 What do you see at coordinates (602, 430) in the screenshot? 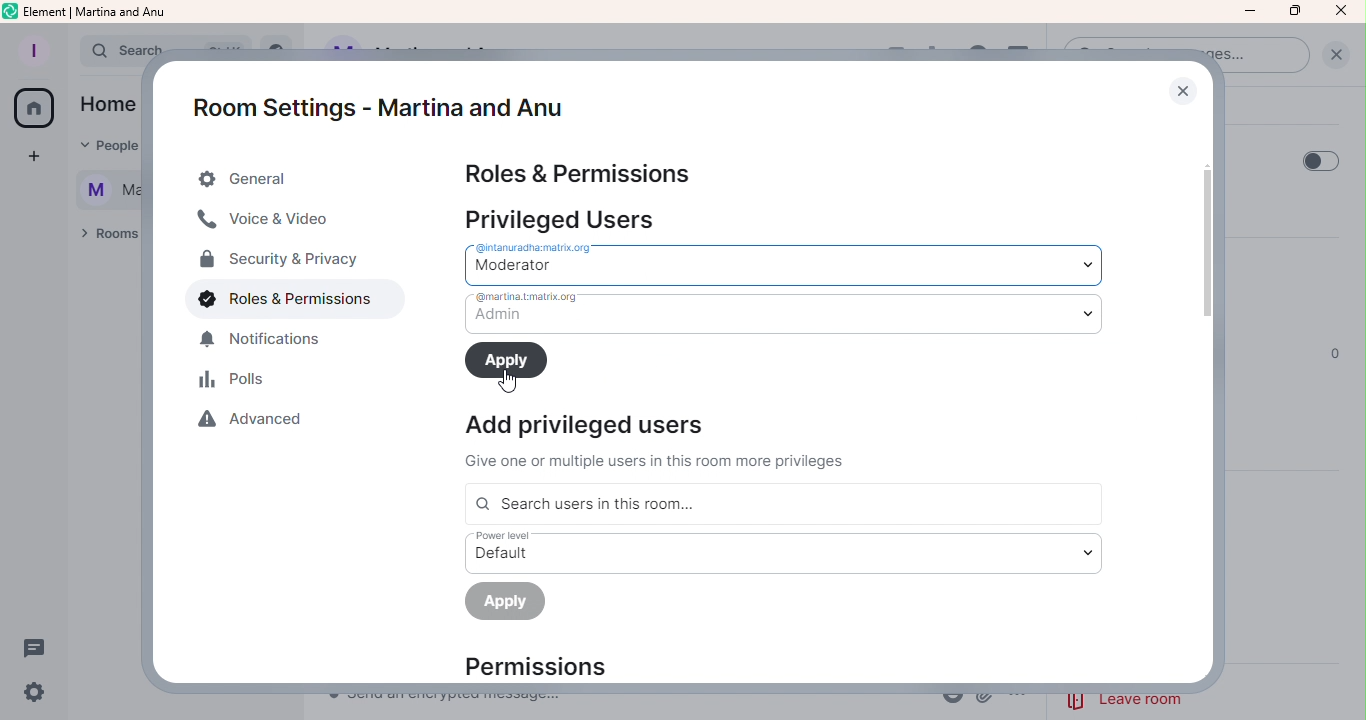
I see `` at bounding box center [602, 430].